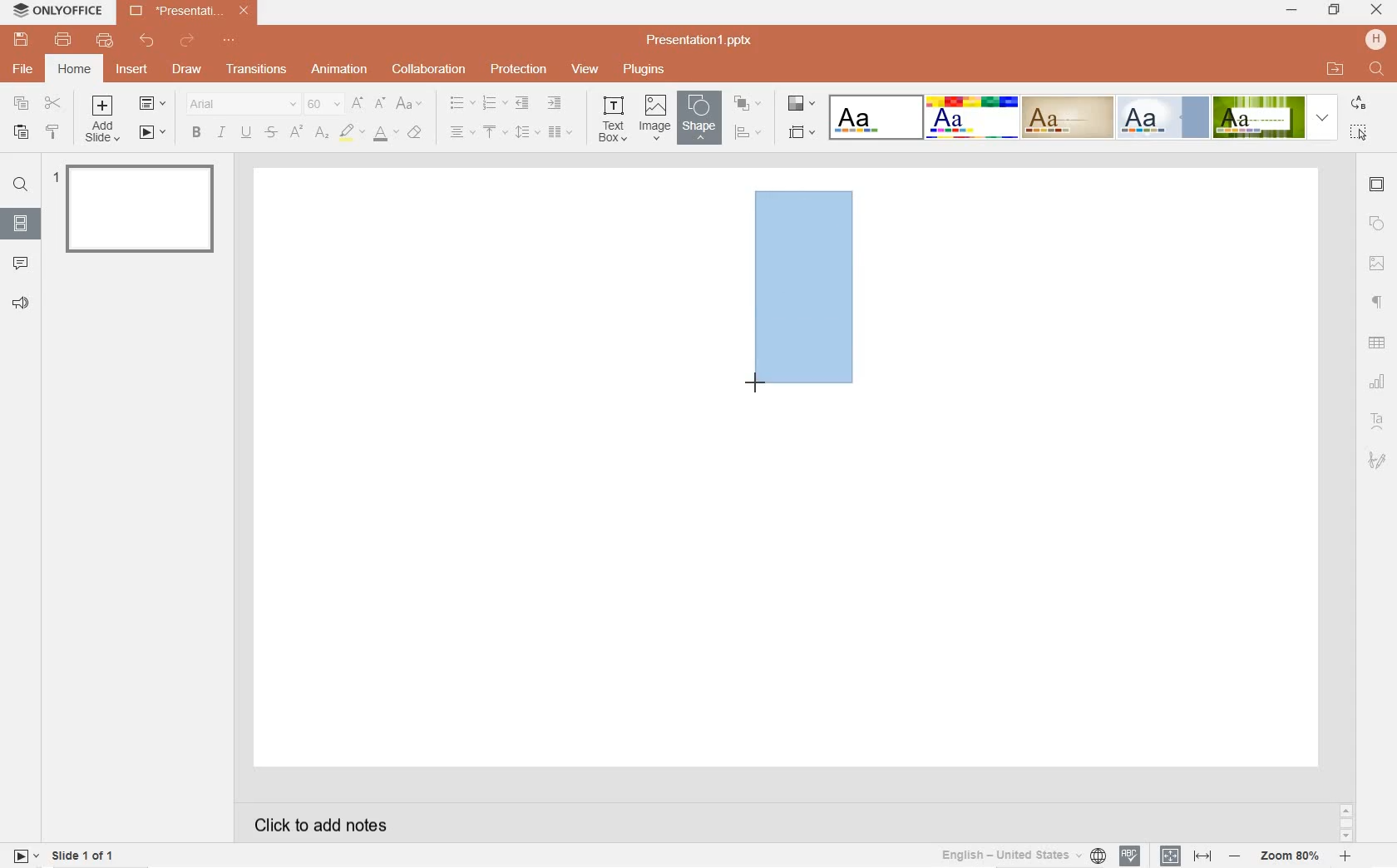 This screenshot has width=1397, height=868. I want to click on change color theme, so click(799, 106).